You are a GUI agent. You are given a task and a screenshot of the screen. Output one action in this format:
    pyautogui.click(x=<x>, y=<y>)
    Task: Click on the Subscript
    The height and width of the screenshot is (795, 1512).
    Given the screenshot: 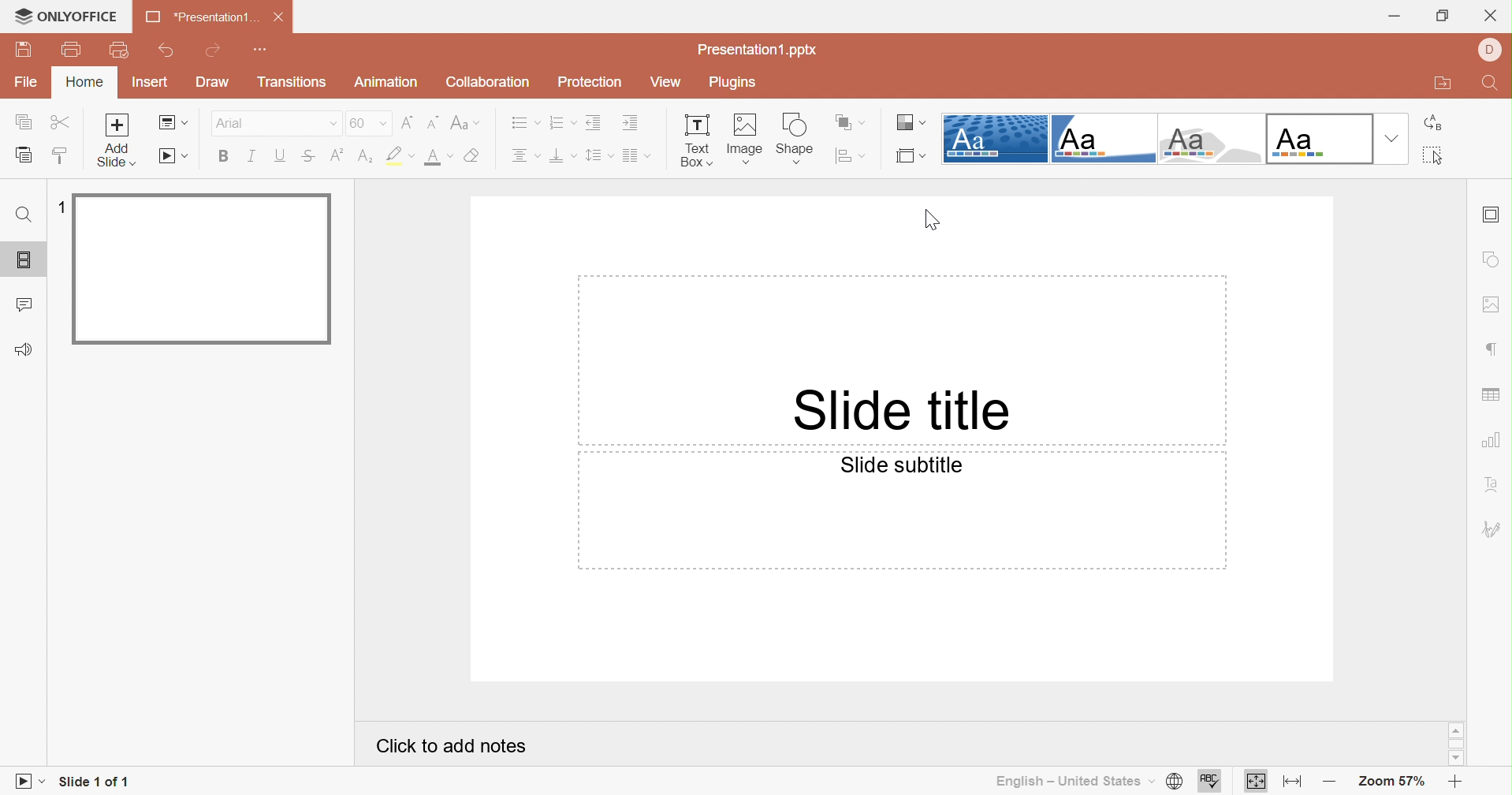 What is the action you would take?
    pyautogui.click(x=365, y=156)
    